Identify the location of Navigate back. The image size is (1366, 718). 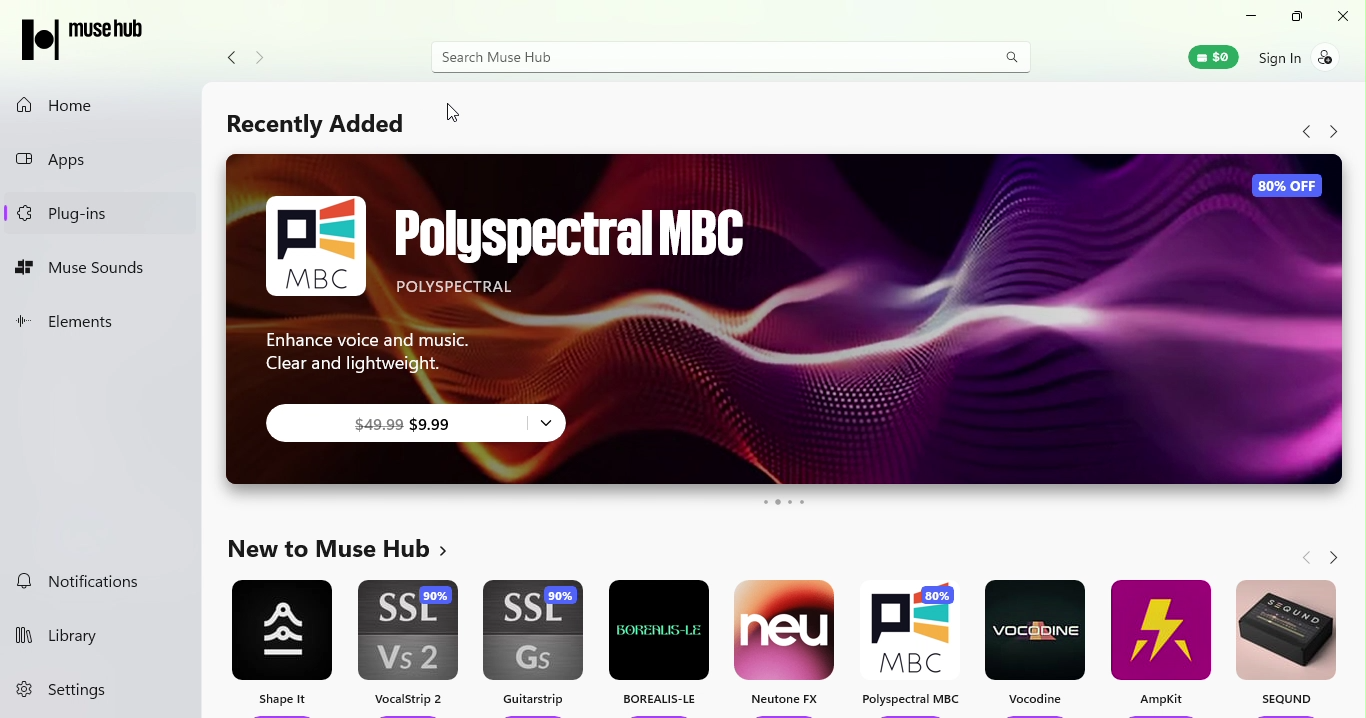
(1304, 558).